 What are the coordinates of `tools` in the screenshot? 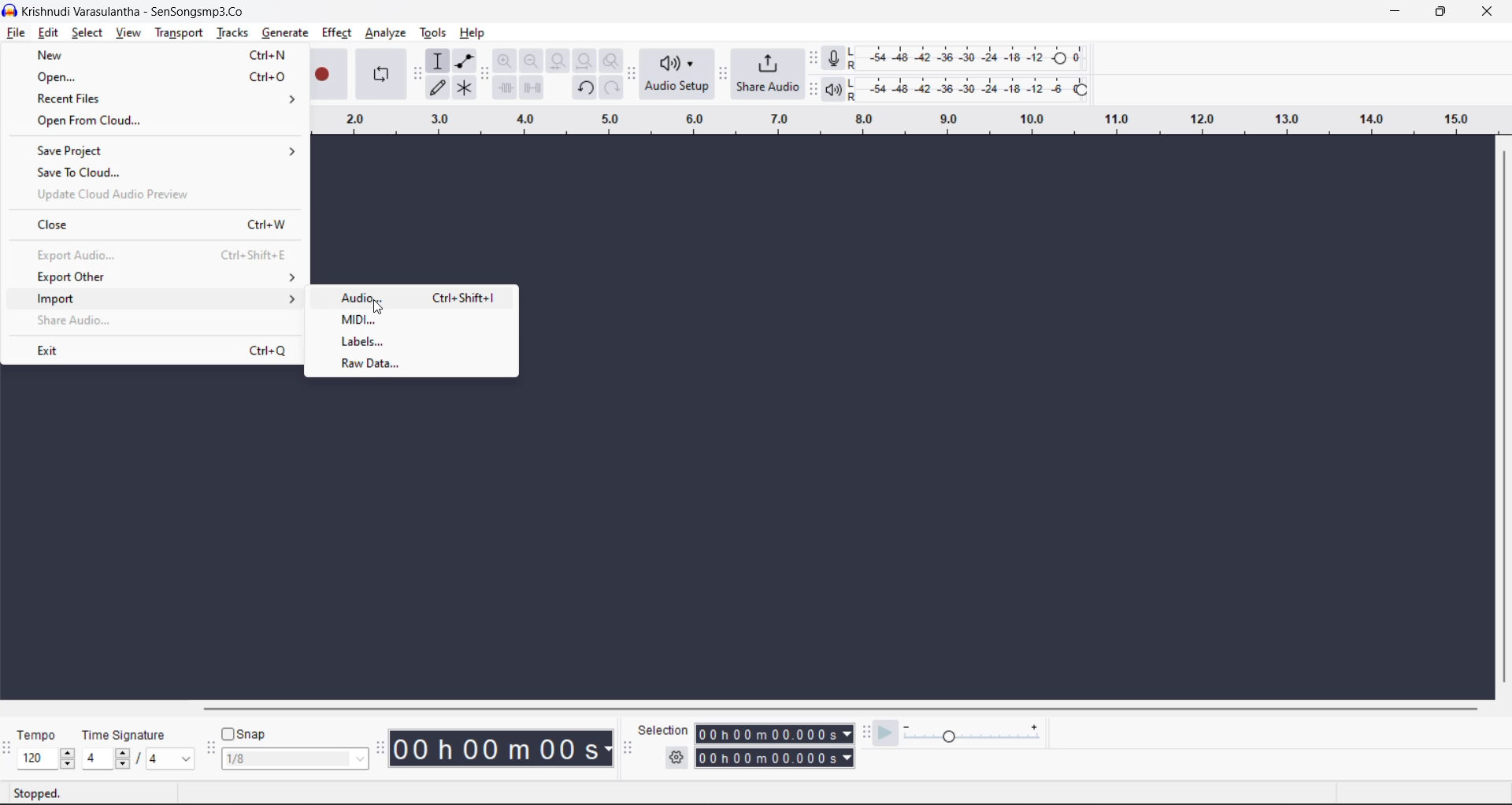 It's located at (435, 33).